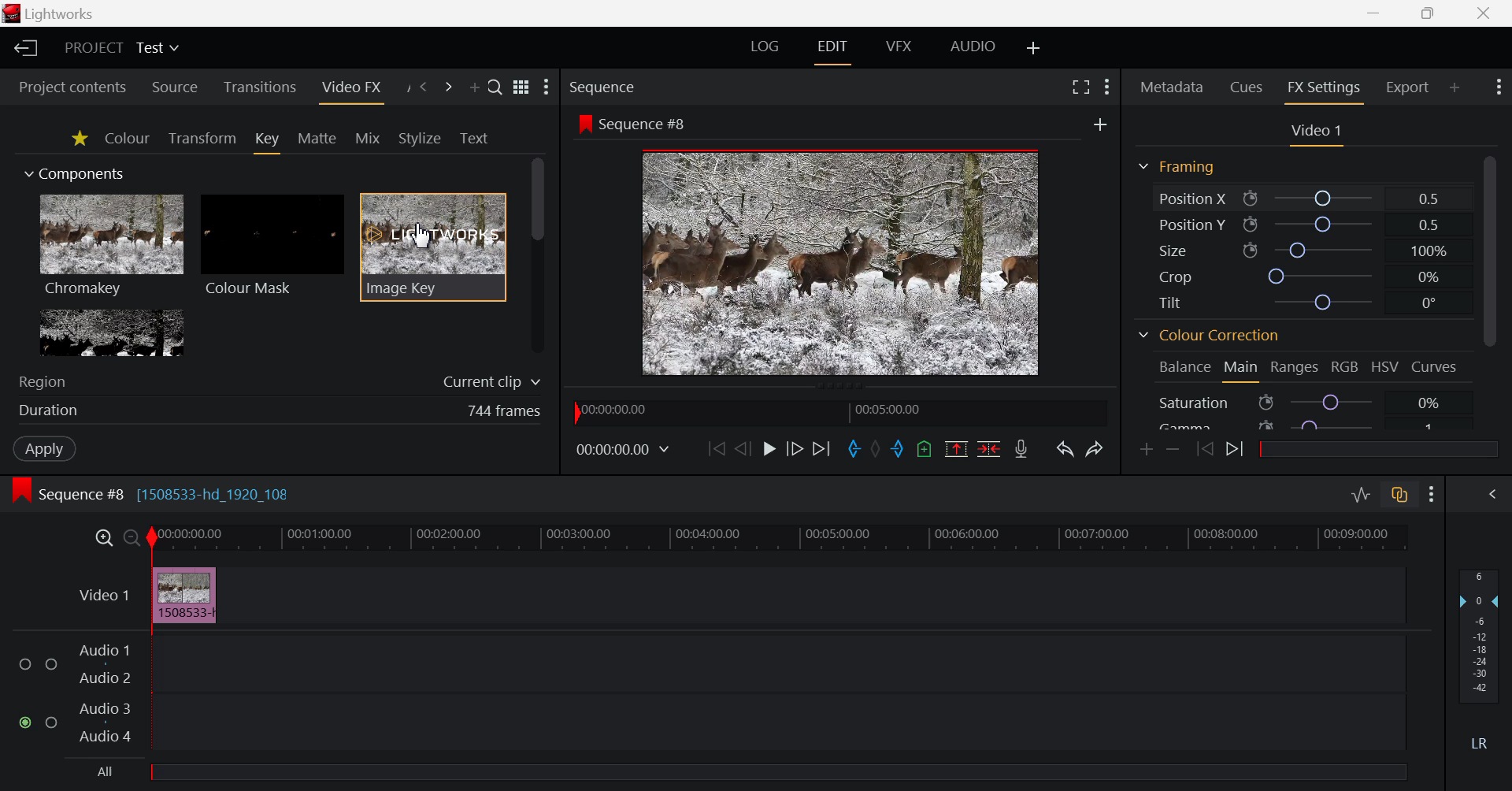  I want to click on 0.5, so click(1429, 225).